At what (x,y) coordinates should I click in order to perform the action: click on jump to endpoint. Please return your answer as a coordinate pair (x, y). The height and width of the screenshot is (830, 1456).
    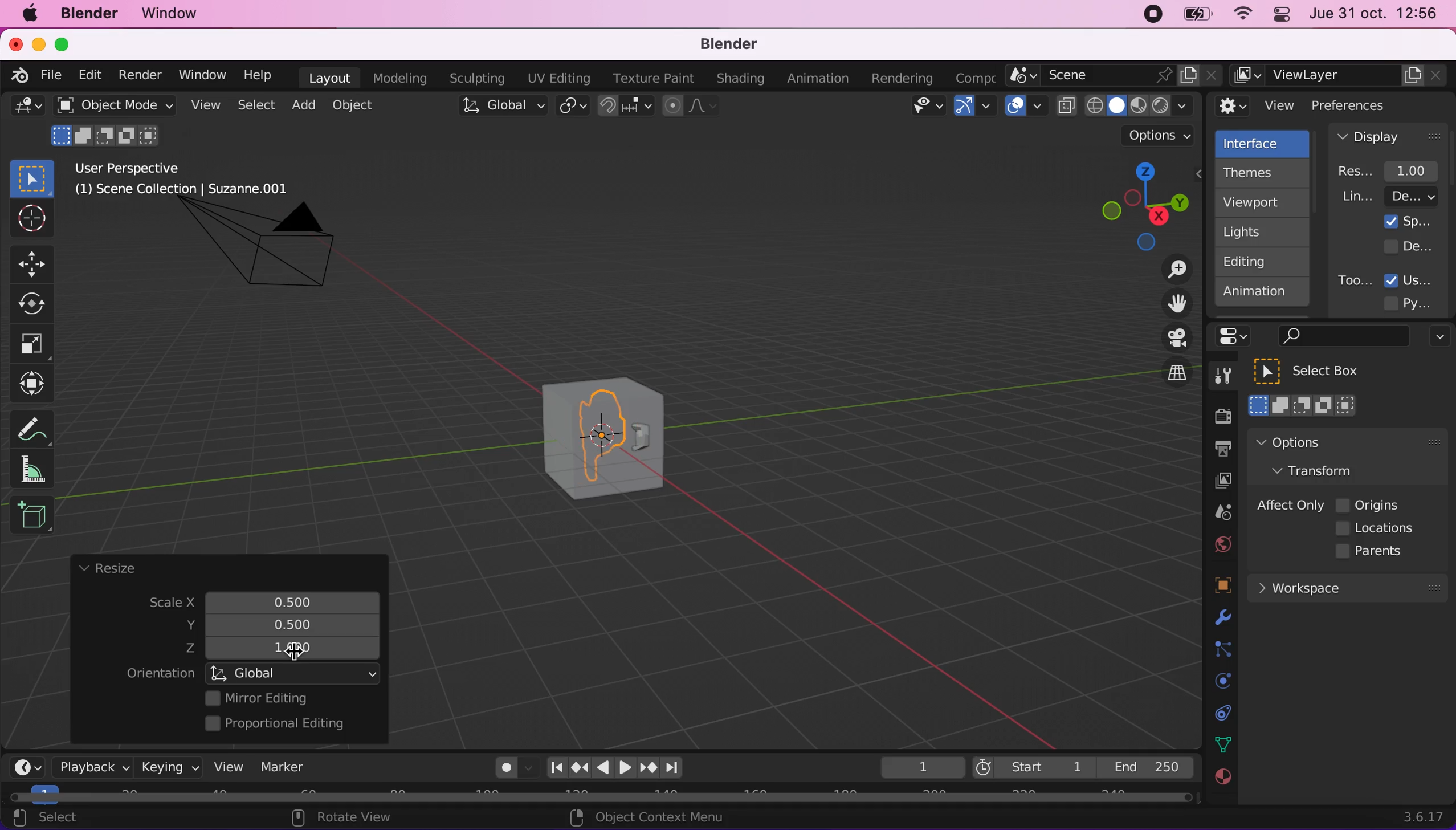
    Looking at the image, I should click on (678, 768).